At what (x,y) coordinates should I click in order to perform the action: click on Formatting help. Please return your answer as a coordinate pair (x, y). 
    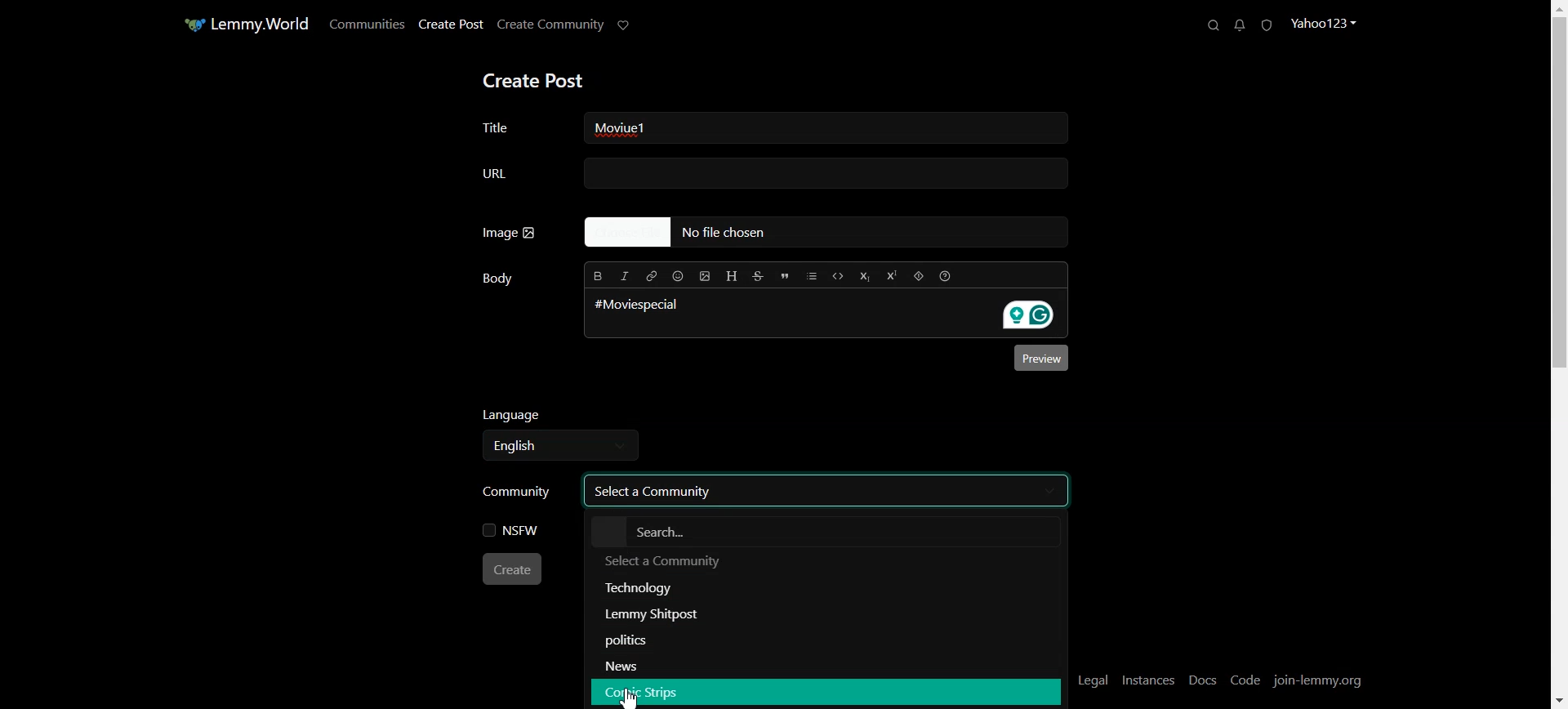
    Looking at the image, I should click on (948, 275).